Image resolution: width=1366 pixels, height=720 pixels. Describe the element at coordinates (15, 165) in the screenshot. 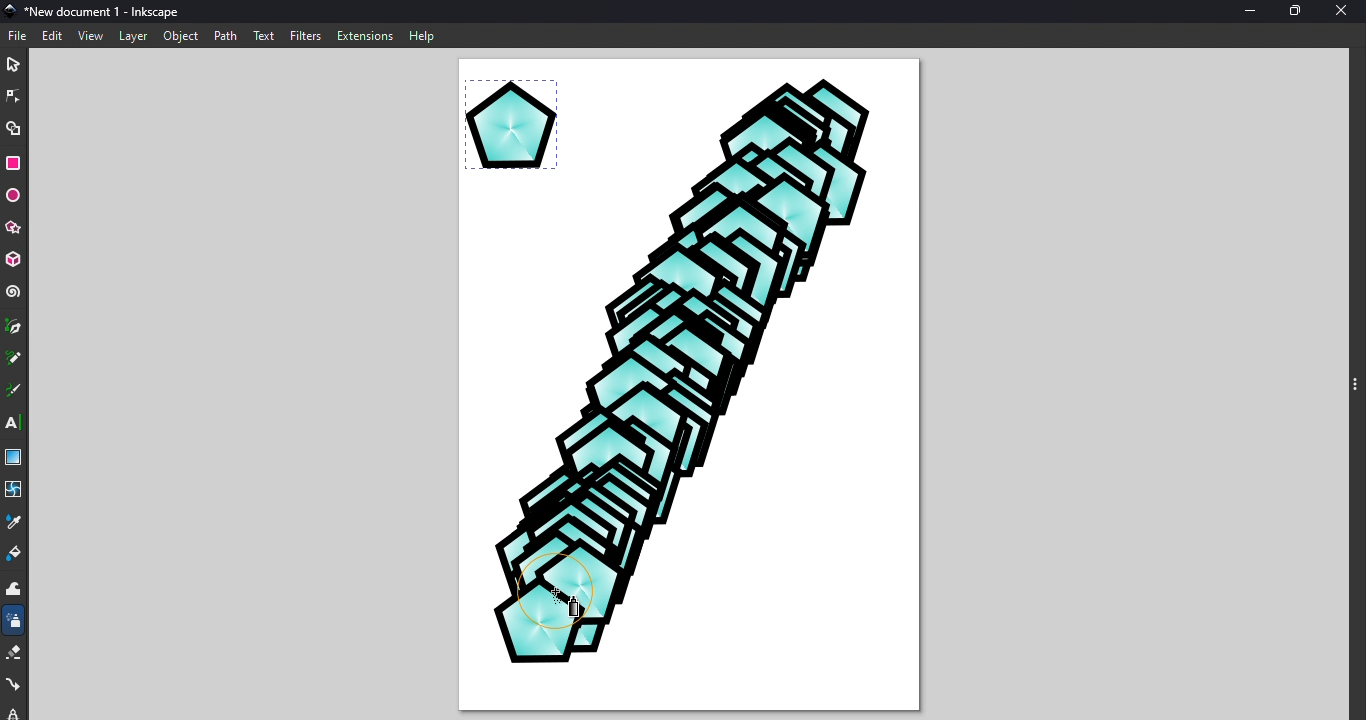

I see `Rectangle tool` at that location.